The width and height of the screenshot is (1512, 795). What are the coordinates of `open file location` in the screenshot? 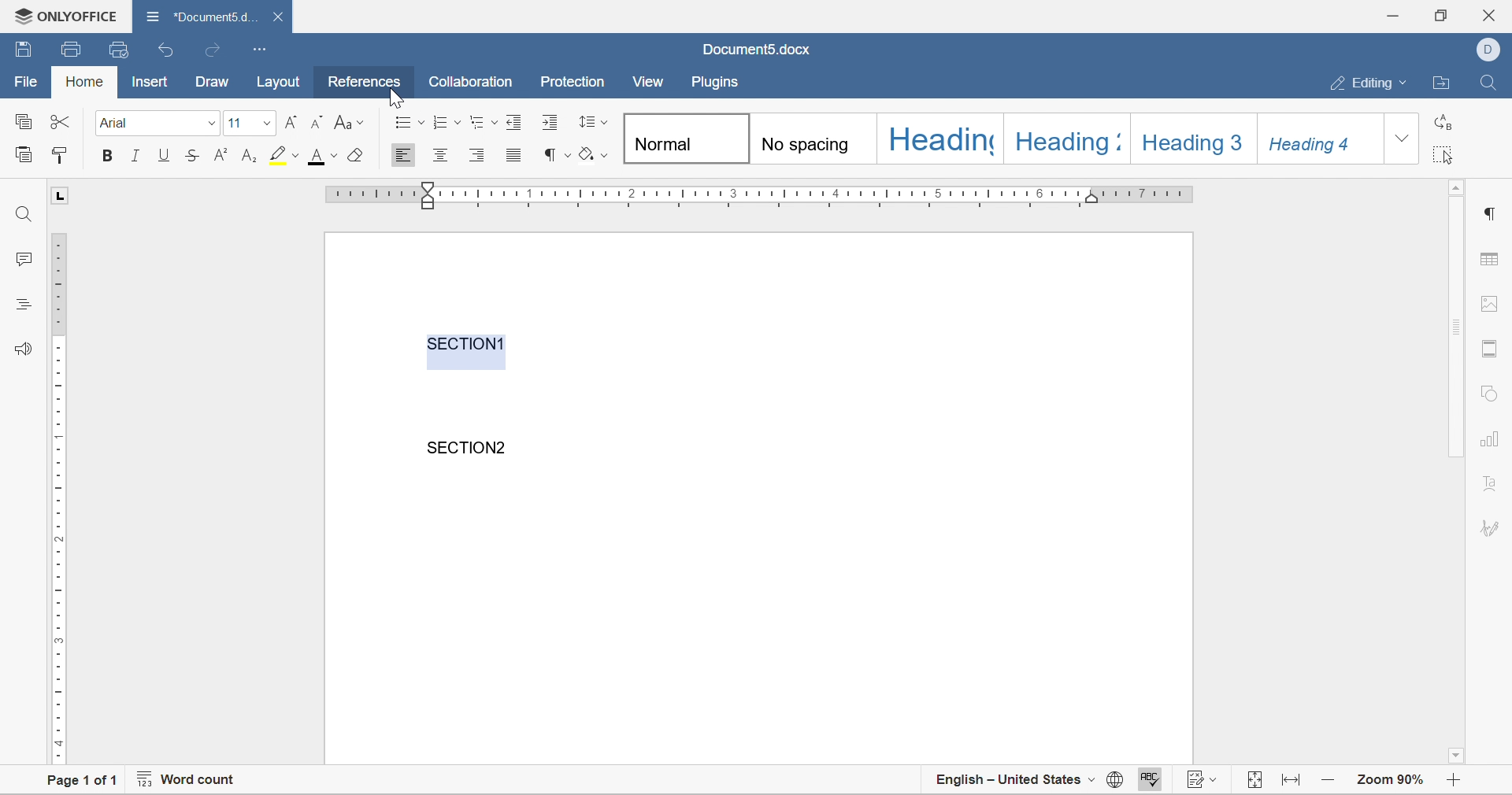 It's located at (1444, 83).